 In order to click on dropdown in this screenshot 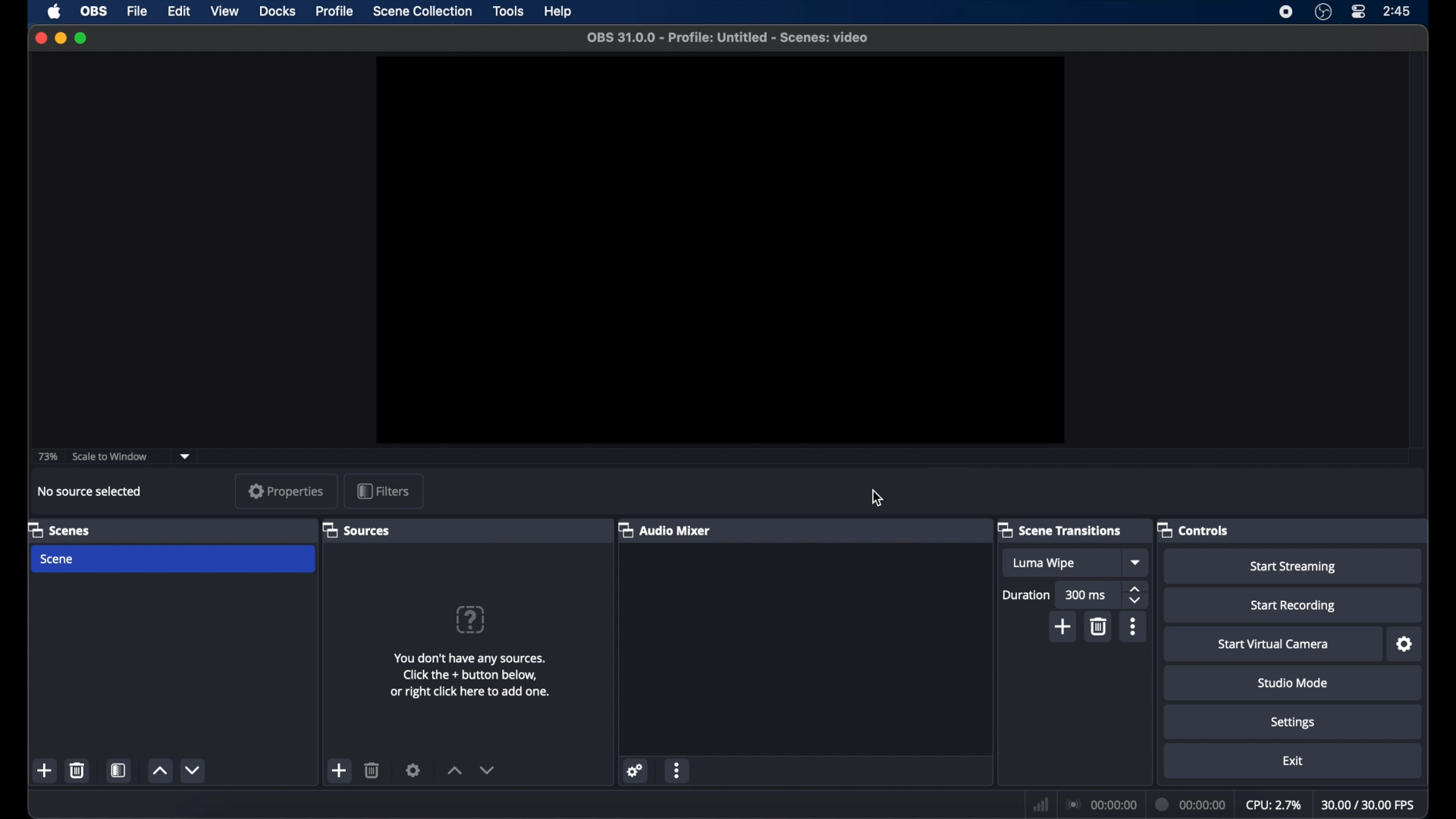, I will do `click(186, 455)`.